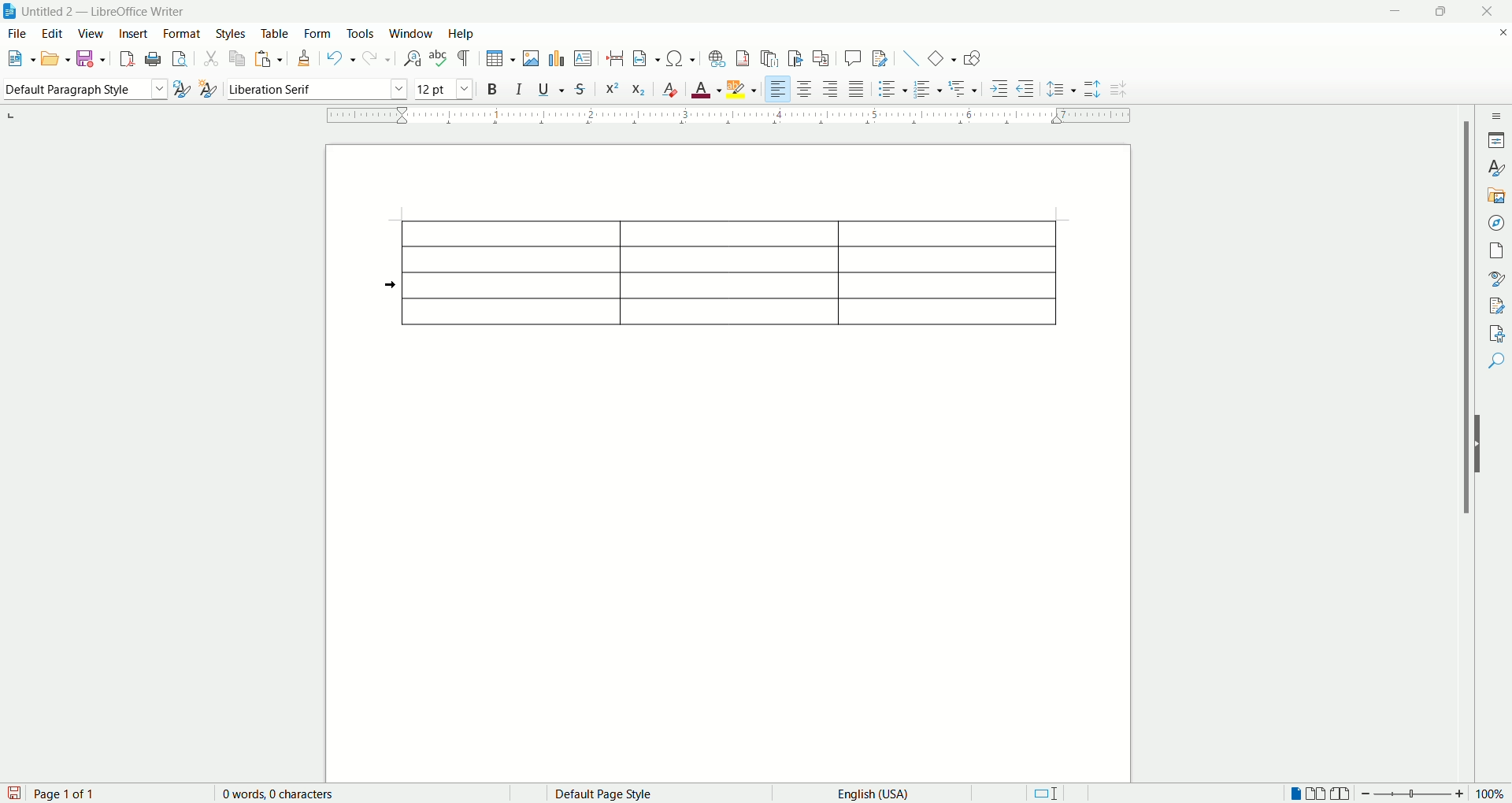 This screenshot has width=1512, height=803. What do you see at coordinates (706, 90) in the screenshot?
I see `font color` at bounding box center [706, 90].